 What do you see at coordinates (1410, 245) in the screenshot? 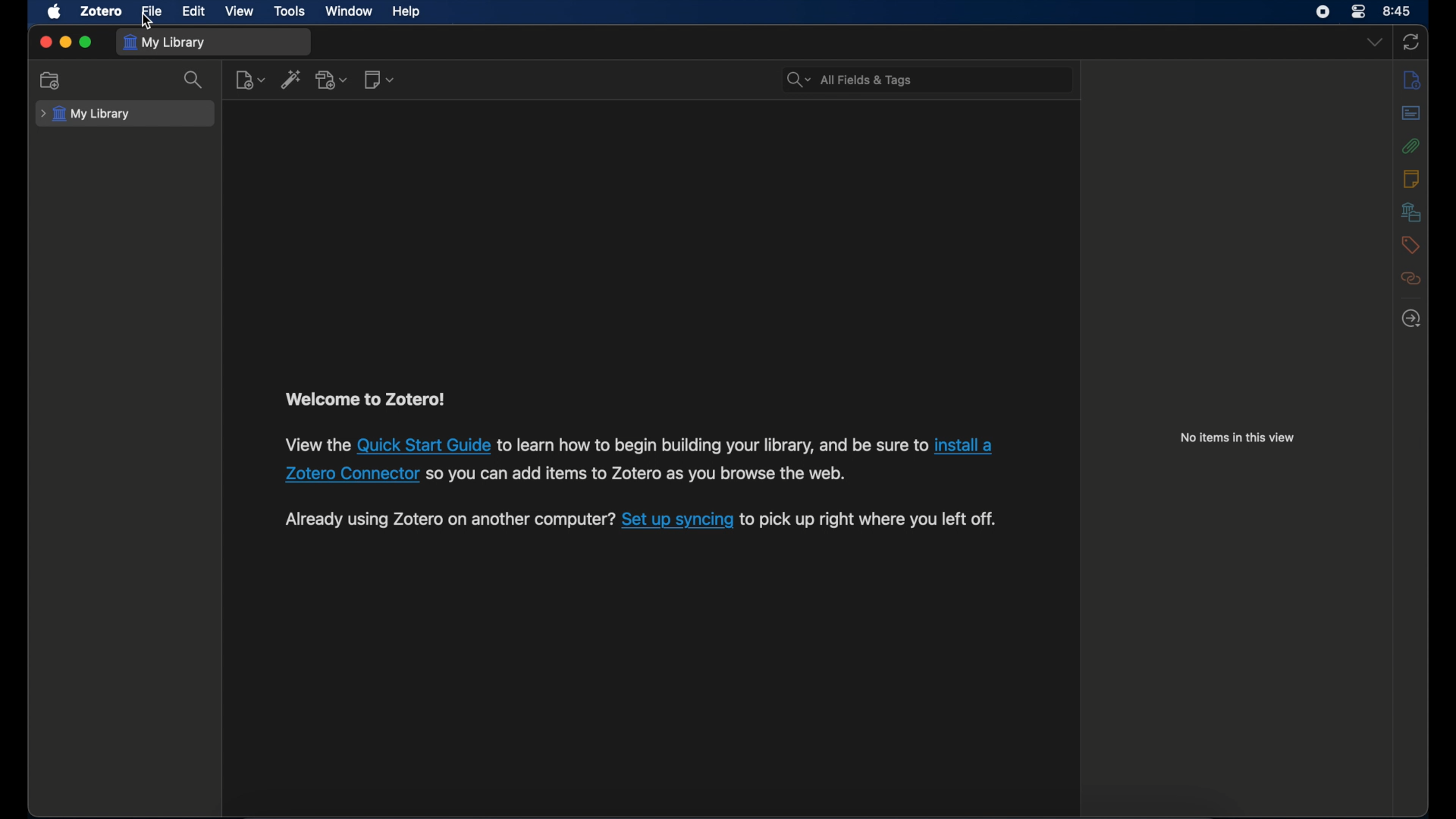
I see `tags` at bounding box center [1410, 245].